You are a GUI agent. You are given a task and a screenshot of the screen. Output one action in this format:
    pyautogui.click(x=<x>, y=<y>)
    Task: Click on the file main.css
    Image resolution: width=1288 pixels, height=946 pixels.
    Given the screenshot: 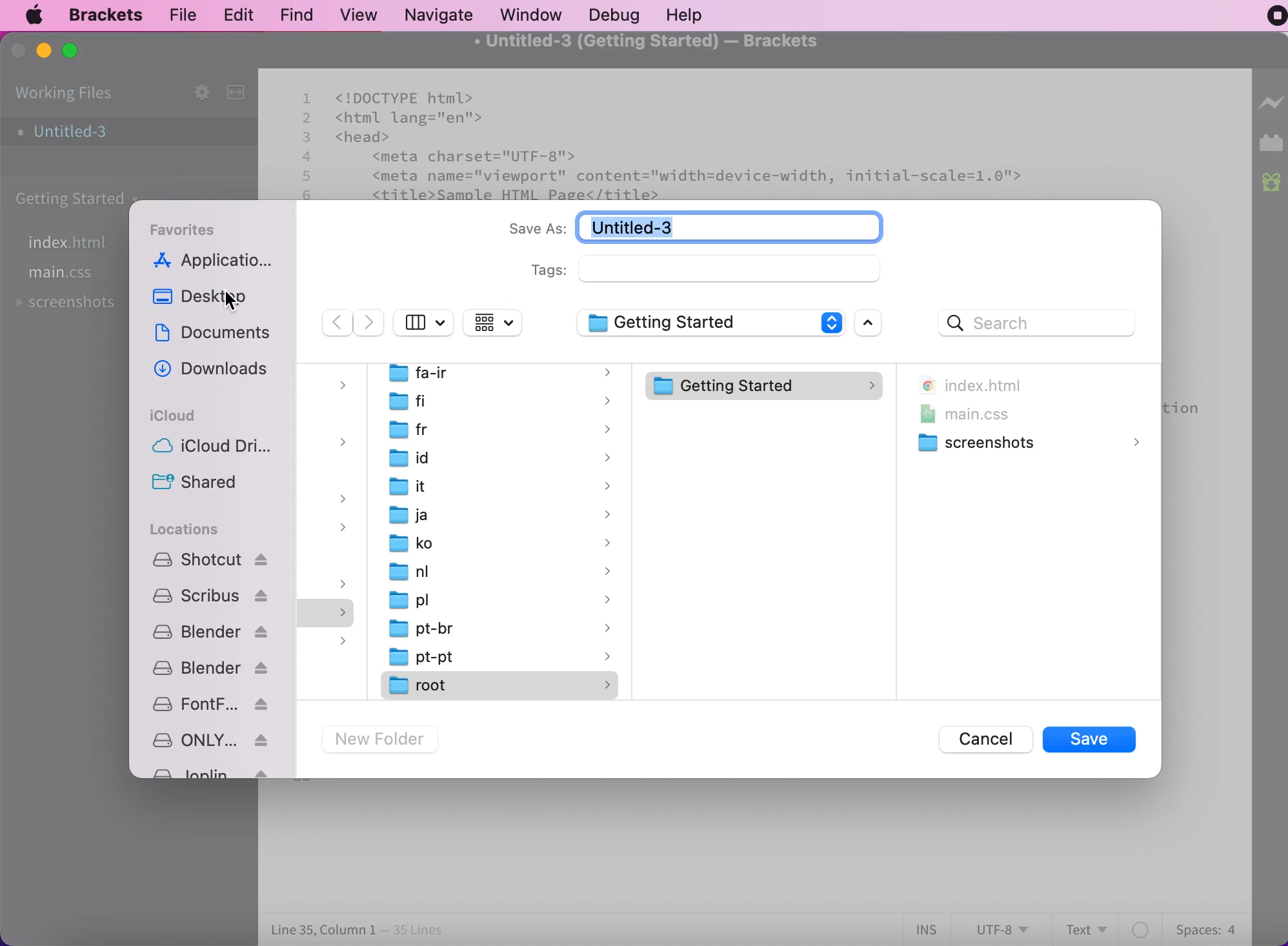 What is the action you would take?
    pyautogui.click(x=66, y=274)
    